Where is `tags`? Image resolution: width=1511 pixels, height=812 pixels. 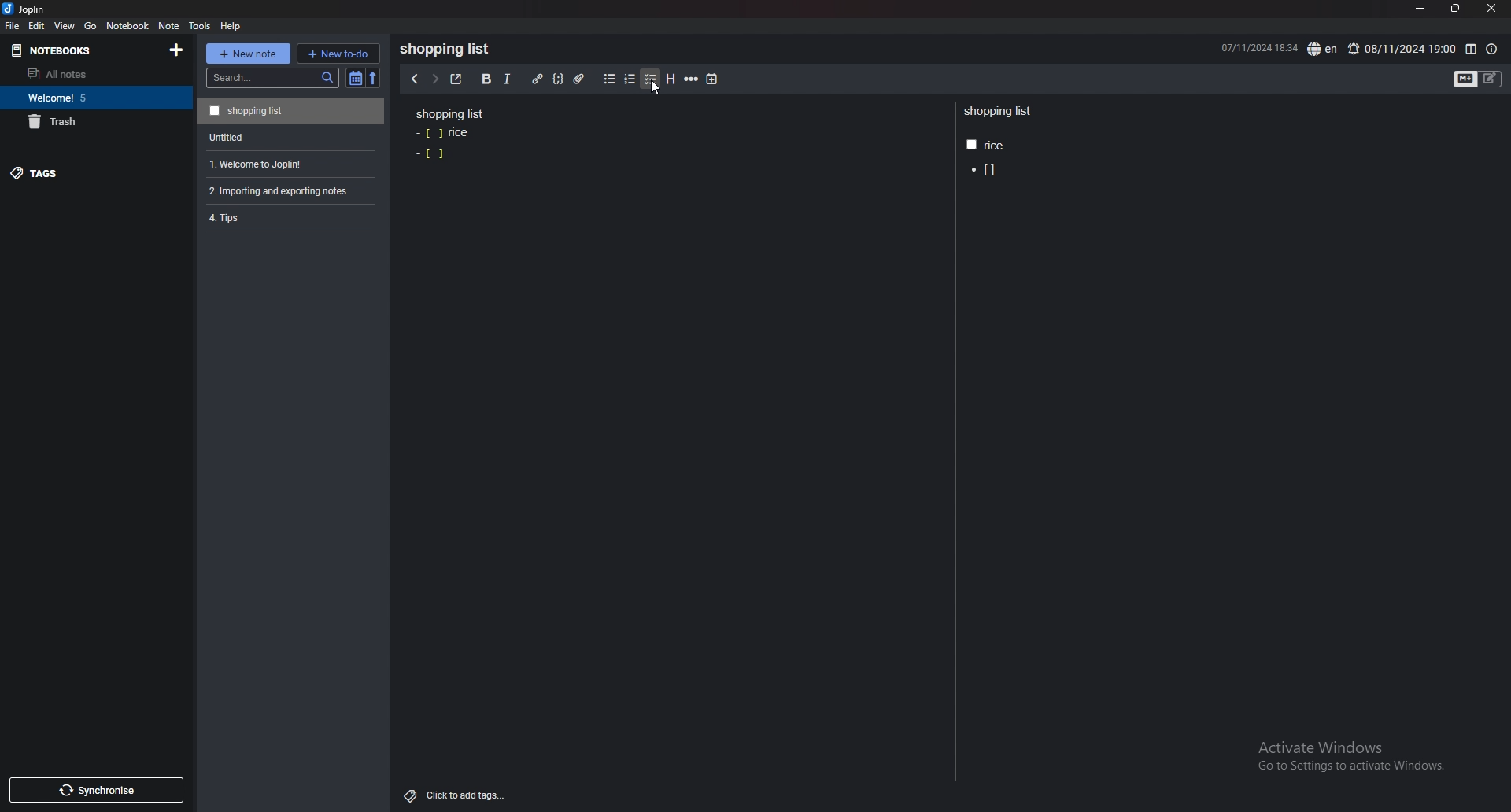 tags is located at coordinates (84, 172).